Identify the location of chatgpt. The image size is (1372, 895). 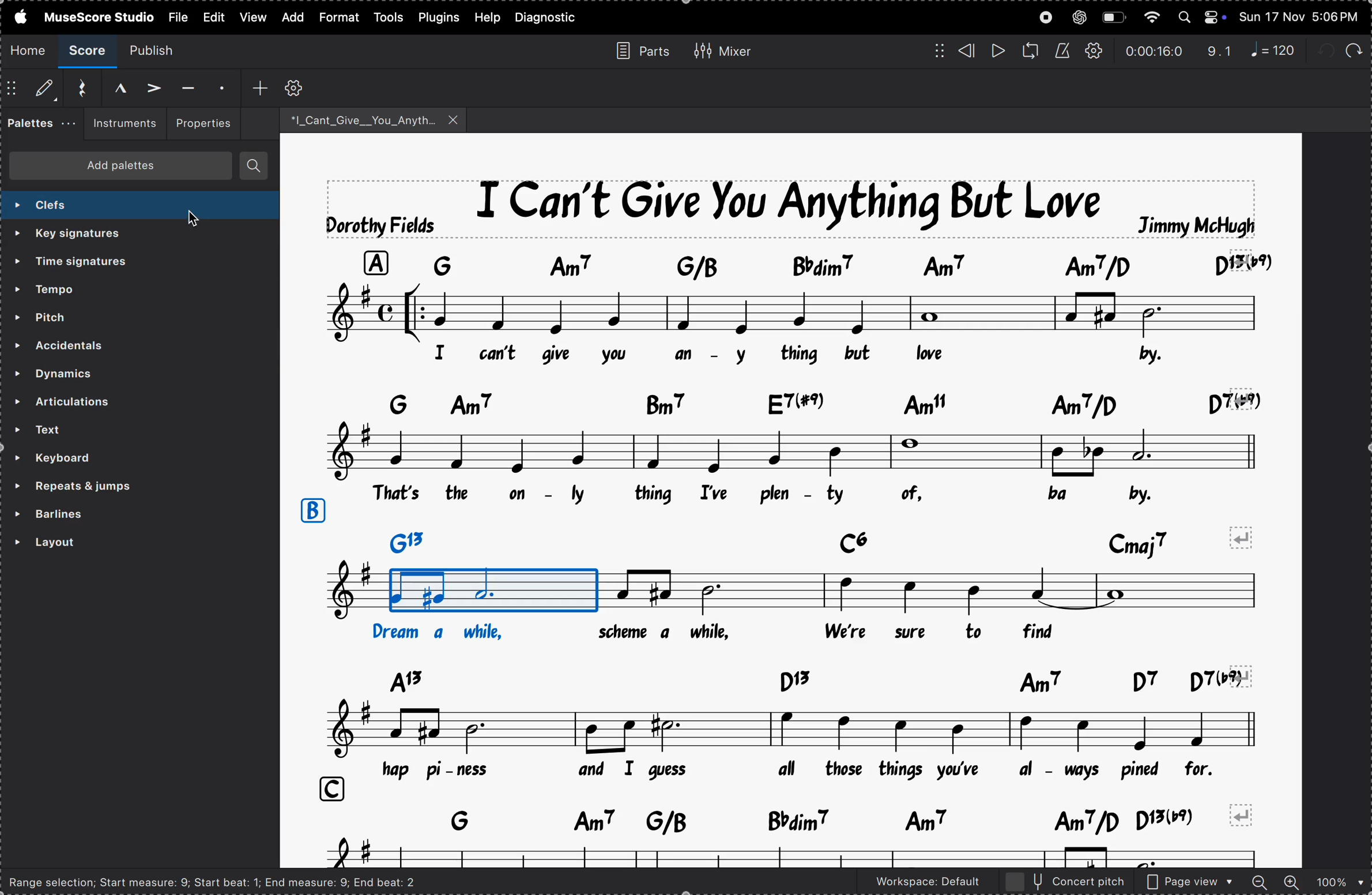
(1079, 17).